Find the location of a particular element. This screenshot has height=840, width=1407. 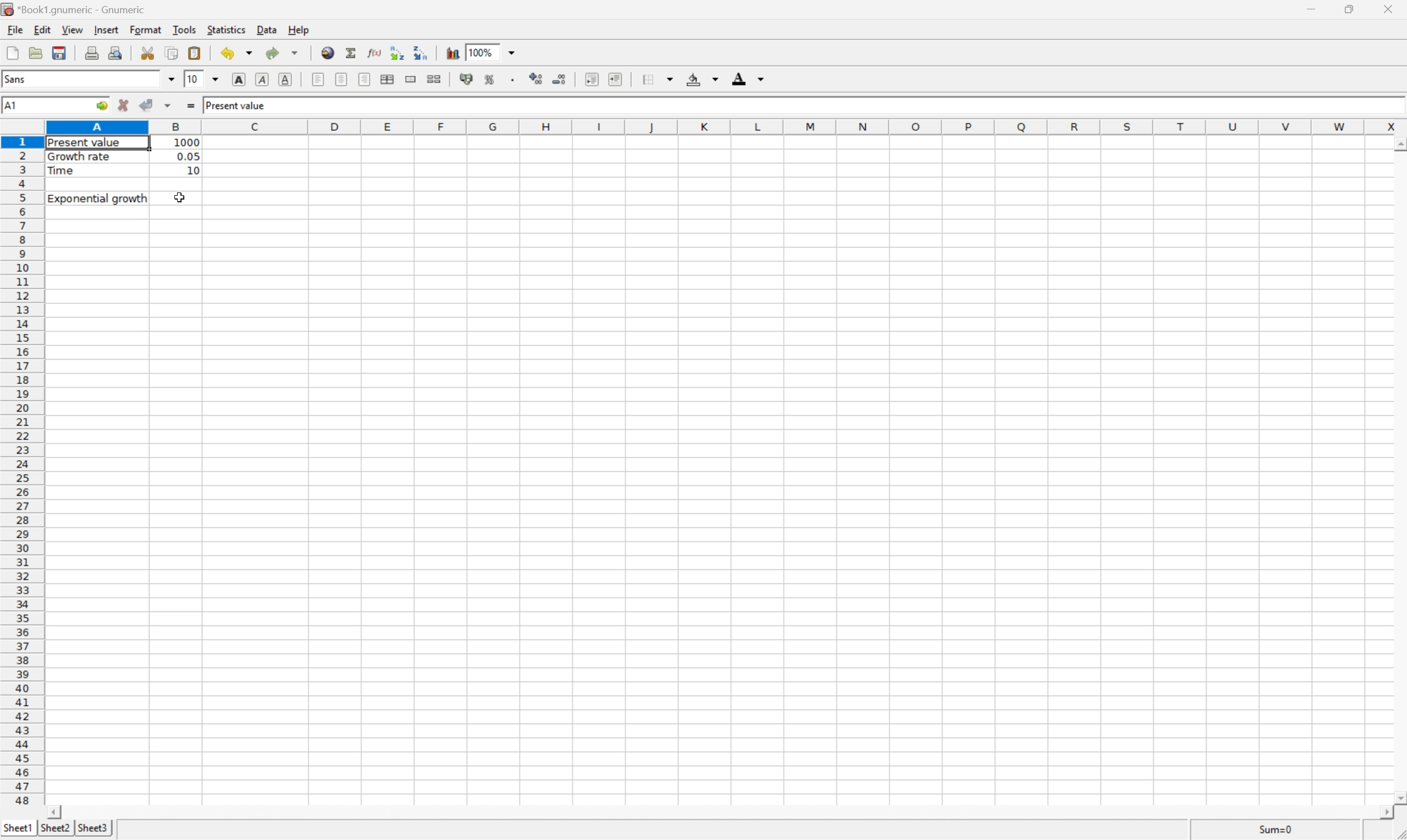

Borders is located at coordinates (655, 79).